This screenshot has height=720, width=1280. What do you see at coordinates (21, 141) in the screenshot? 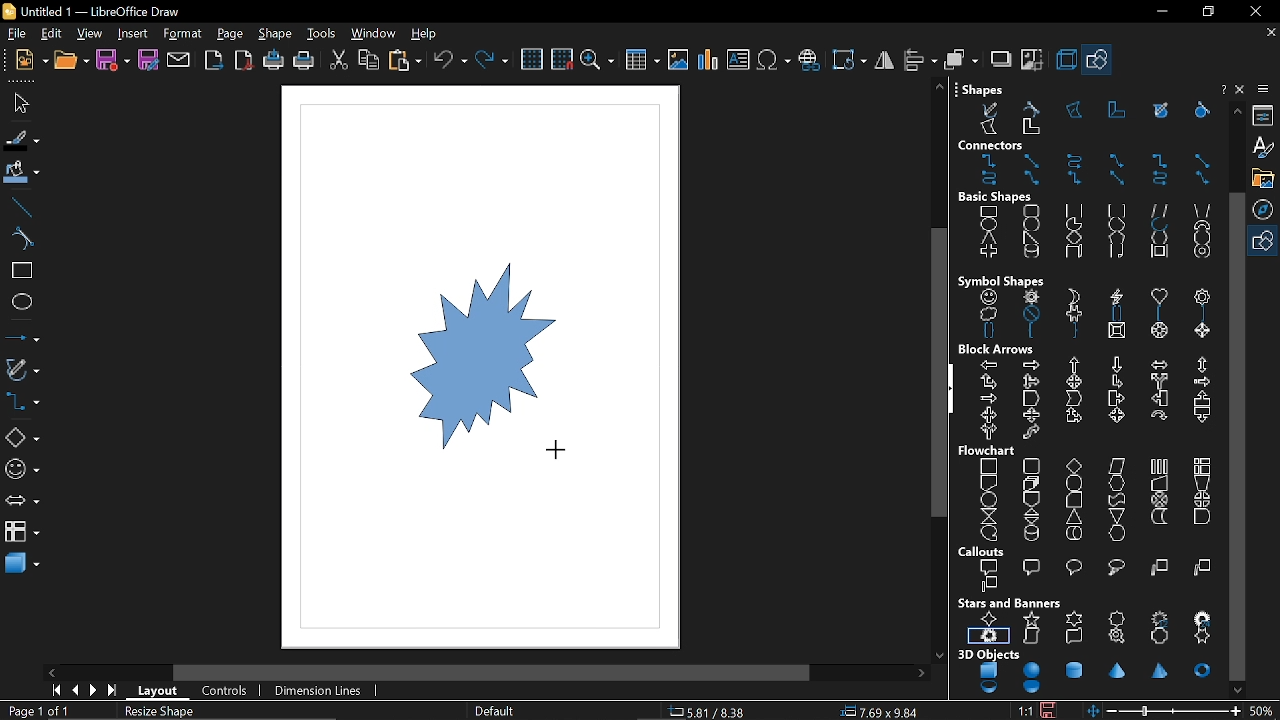
I see `fill line` at bounding box center [21, 141].